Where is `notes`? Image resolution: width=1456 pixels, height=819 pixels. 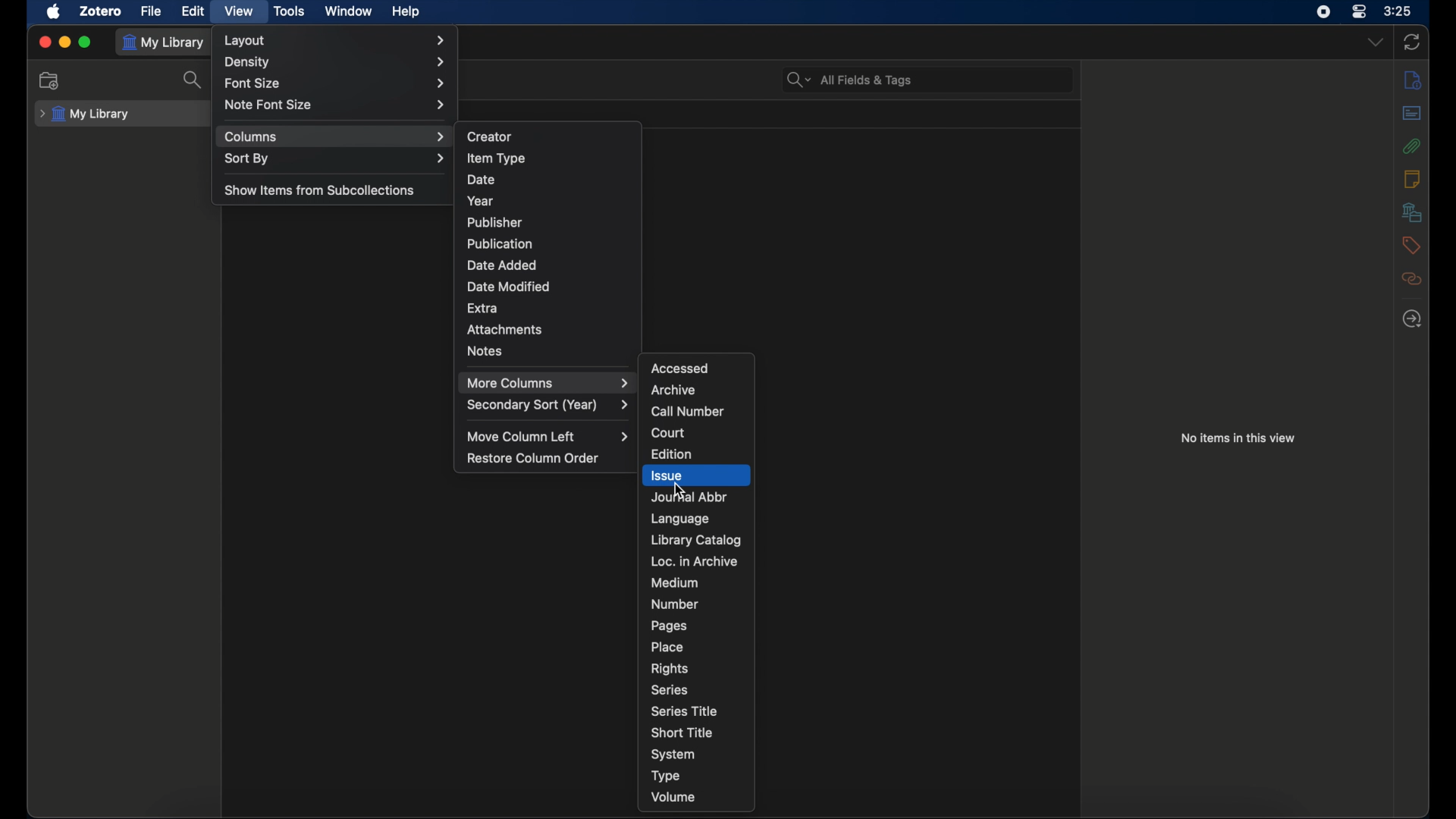
notes is located at coordinates (1412, 178).